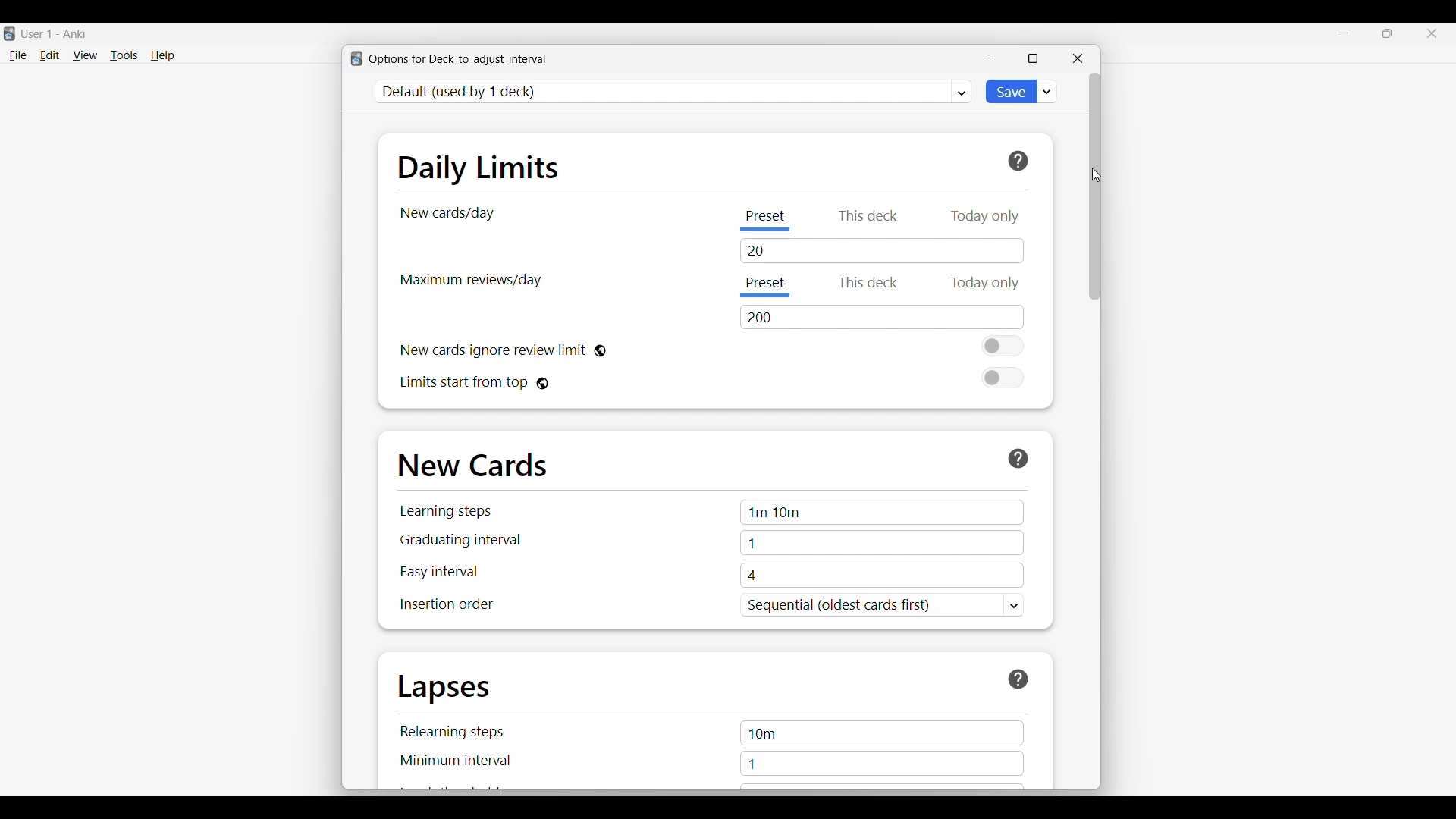  I want to click on Close interface, so click(1432, 33).